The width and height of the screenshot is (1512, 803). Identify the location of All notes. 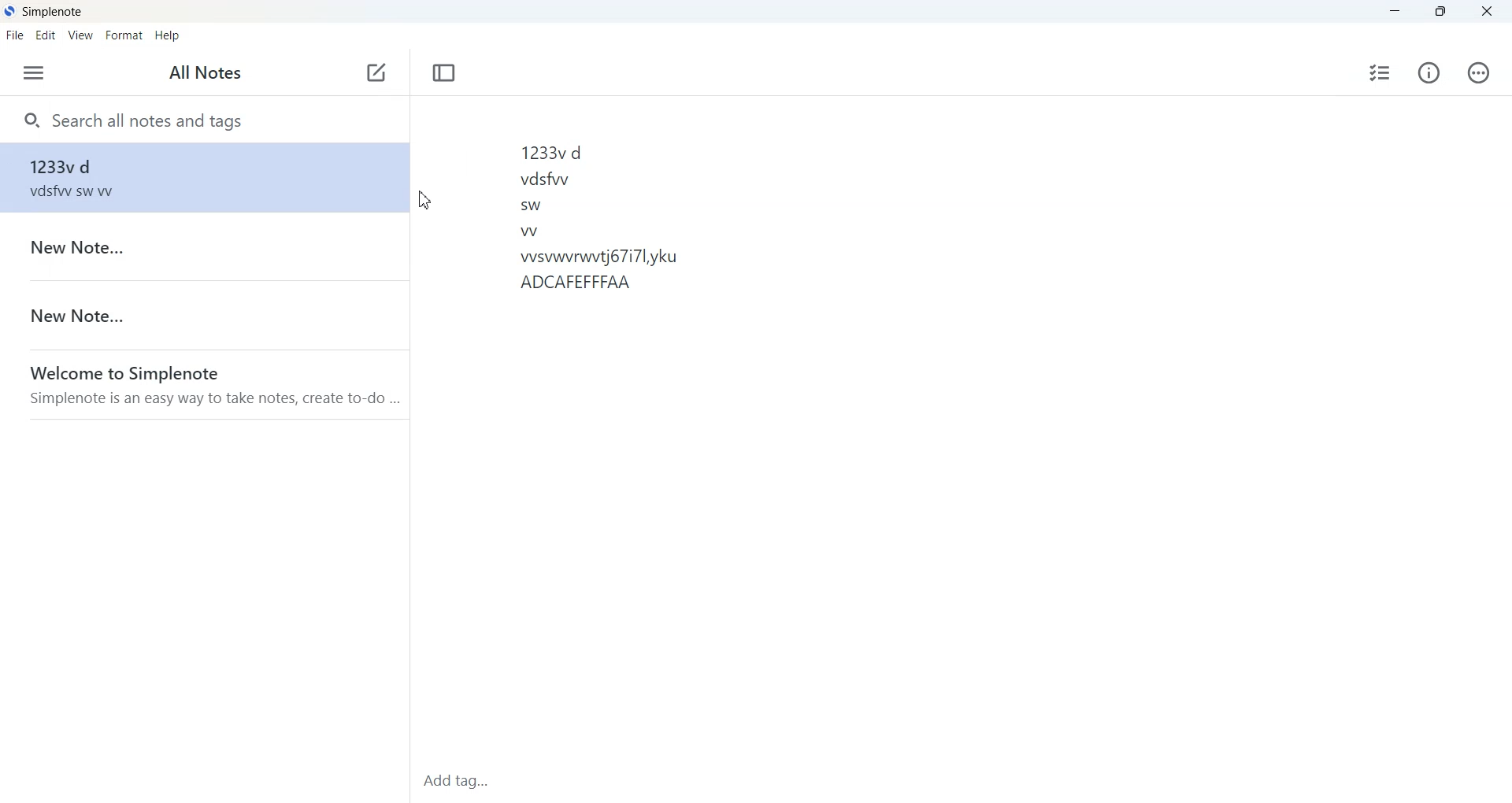
(206, 72).